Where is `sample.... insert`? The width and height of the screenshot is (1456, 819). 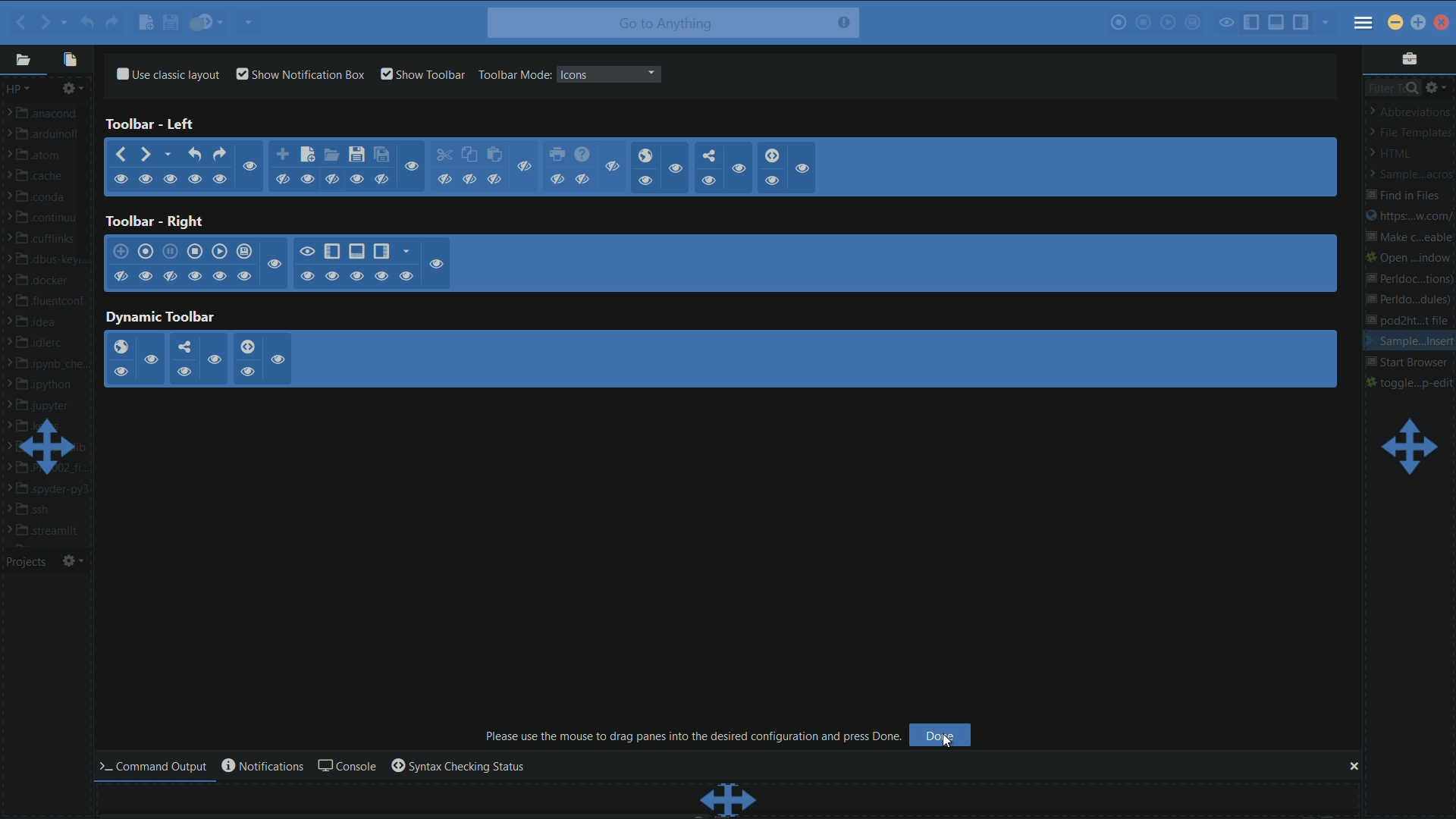 sample.... insert is located at coordinates (1409, 342).